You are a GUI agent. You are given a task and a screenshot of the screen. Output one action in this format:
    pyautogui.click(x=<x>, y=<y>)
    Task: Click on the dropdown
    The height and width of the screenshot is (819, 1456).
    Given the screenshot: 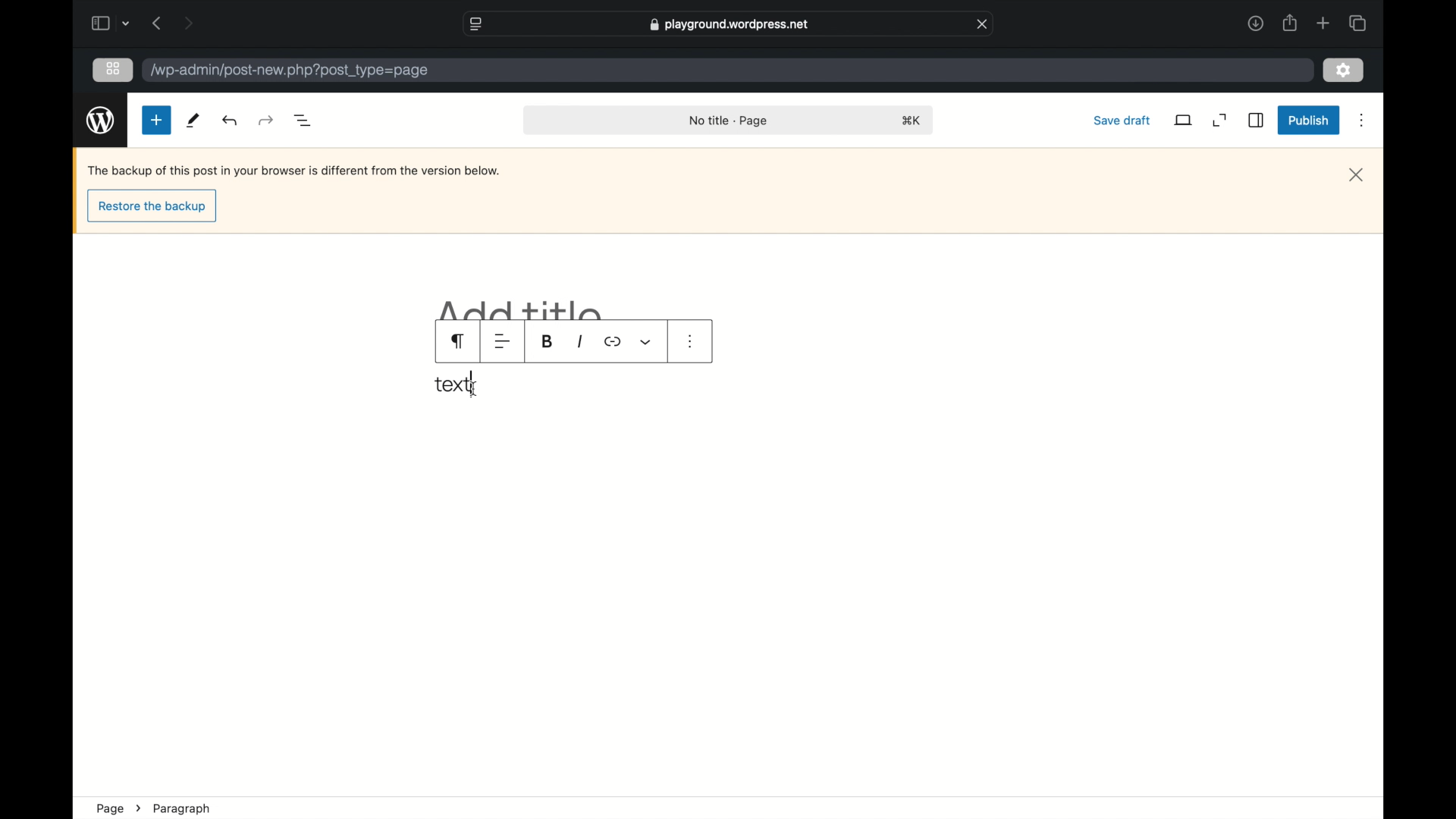 What is the action you would take?
    pyautogui.click(x=646, y=342)
    